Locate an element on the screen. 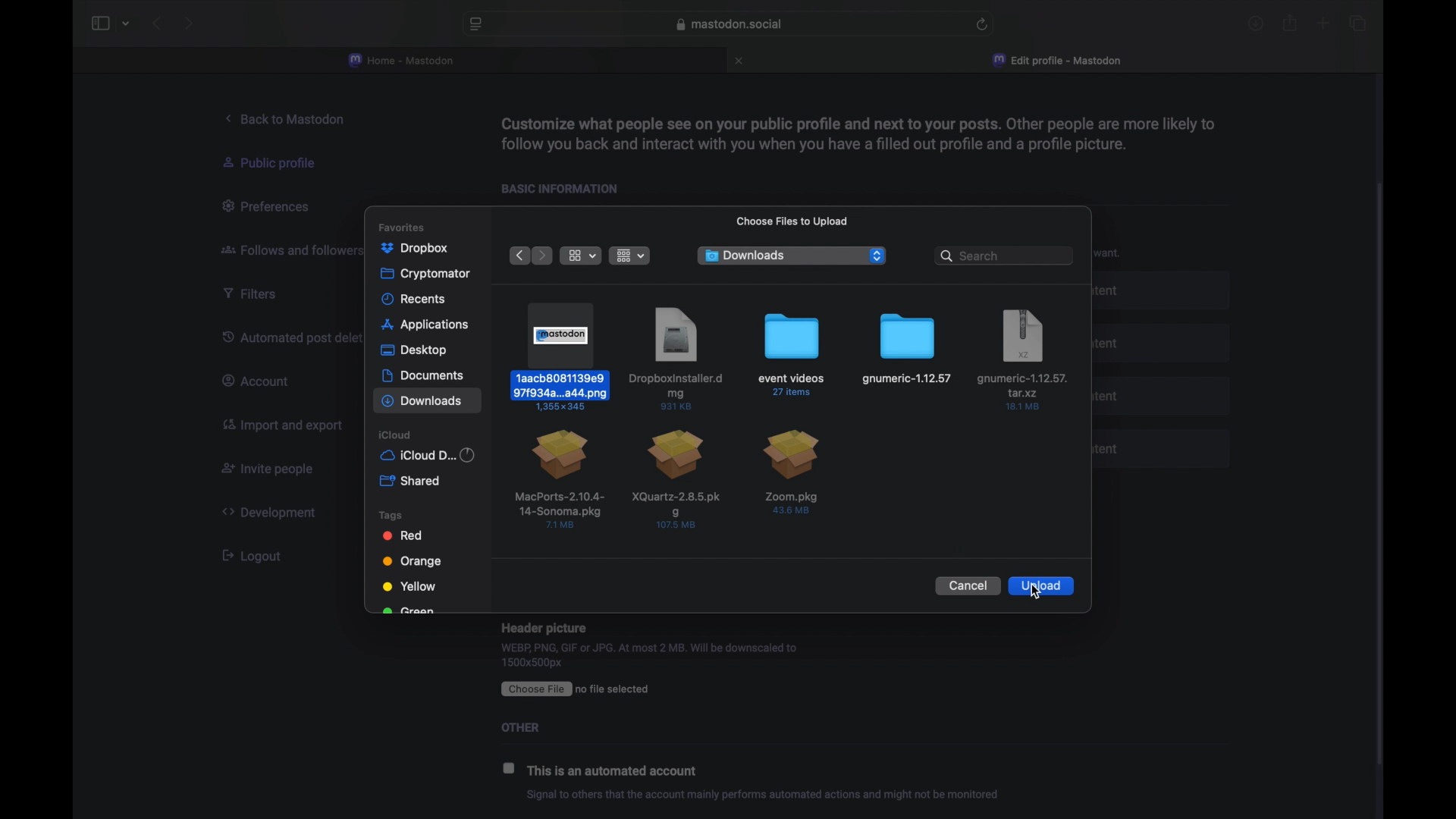 The width and height of the screenshot is (1456, 819). new tab is located at coordinates (1323, 25).